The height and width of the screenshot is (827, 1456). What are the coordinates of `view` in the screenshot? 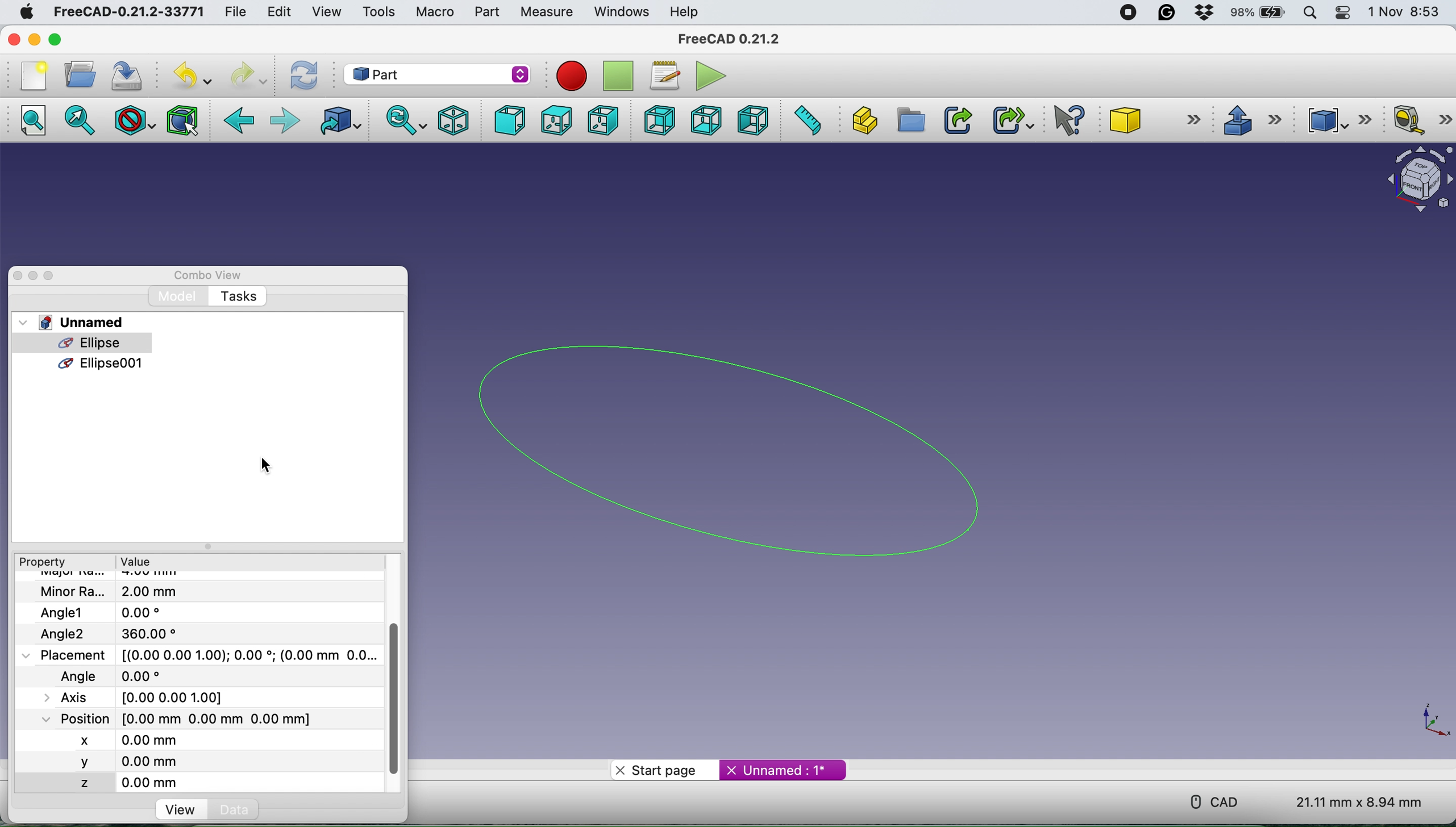 It's located at (325, 11).